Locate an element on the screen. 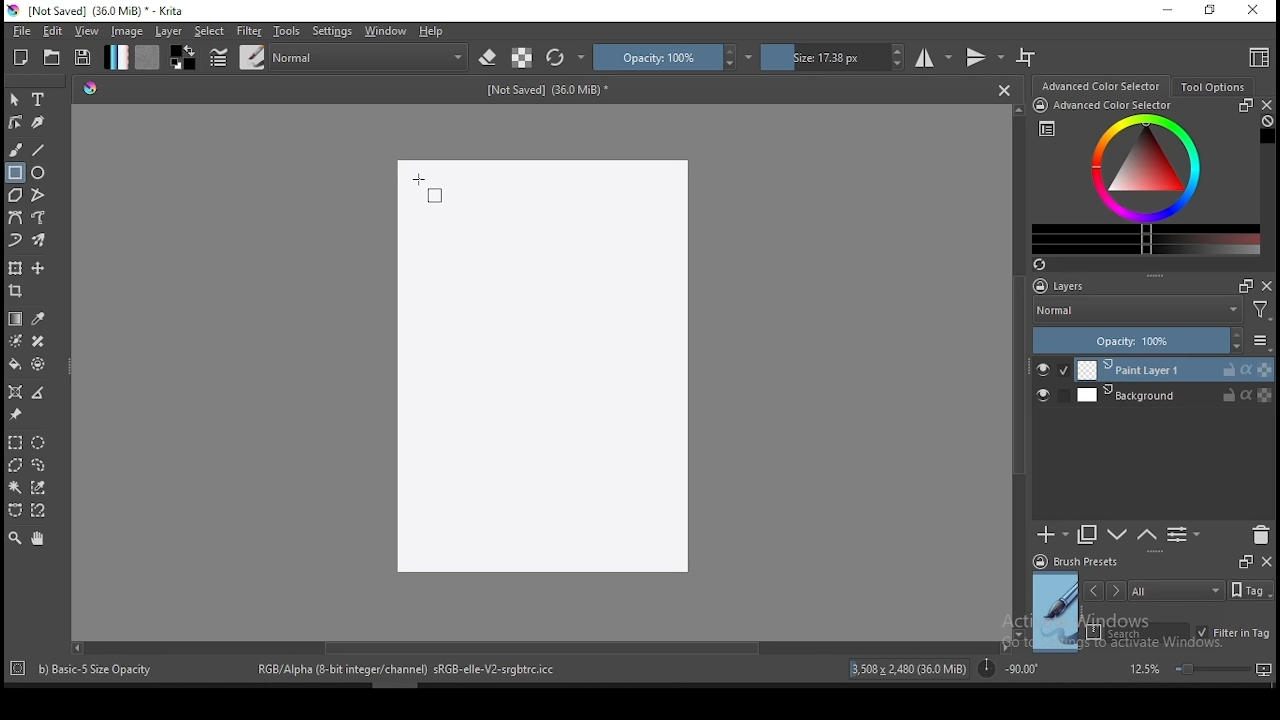  select shapes tool is located at coordinates (15, 99).